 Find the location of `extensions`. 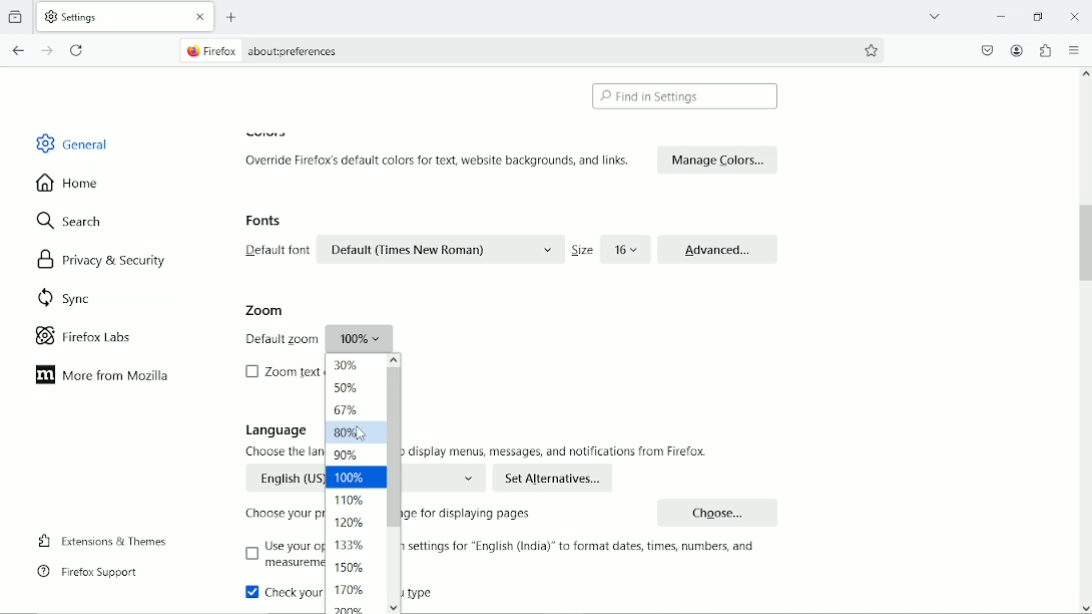

extensions is located at coordinates (1044, 50).